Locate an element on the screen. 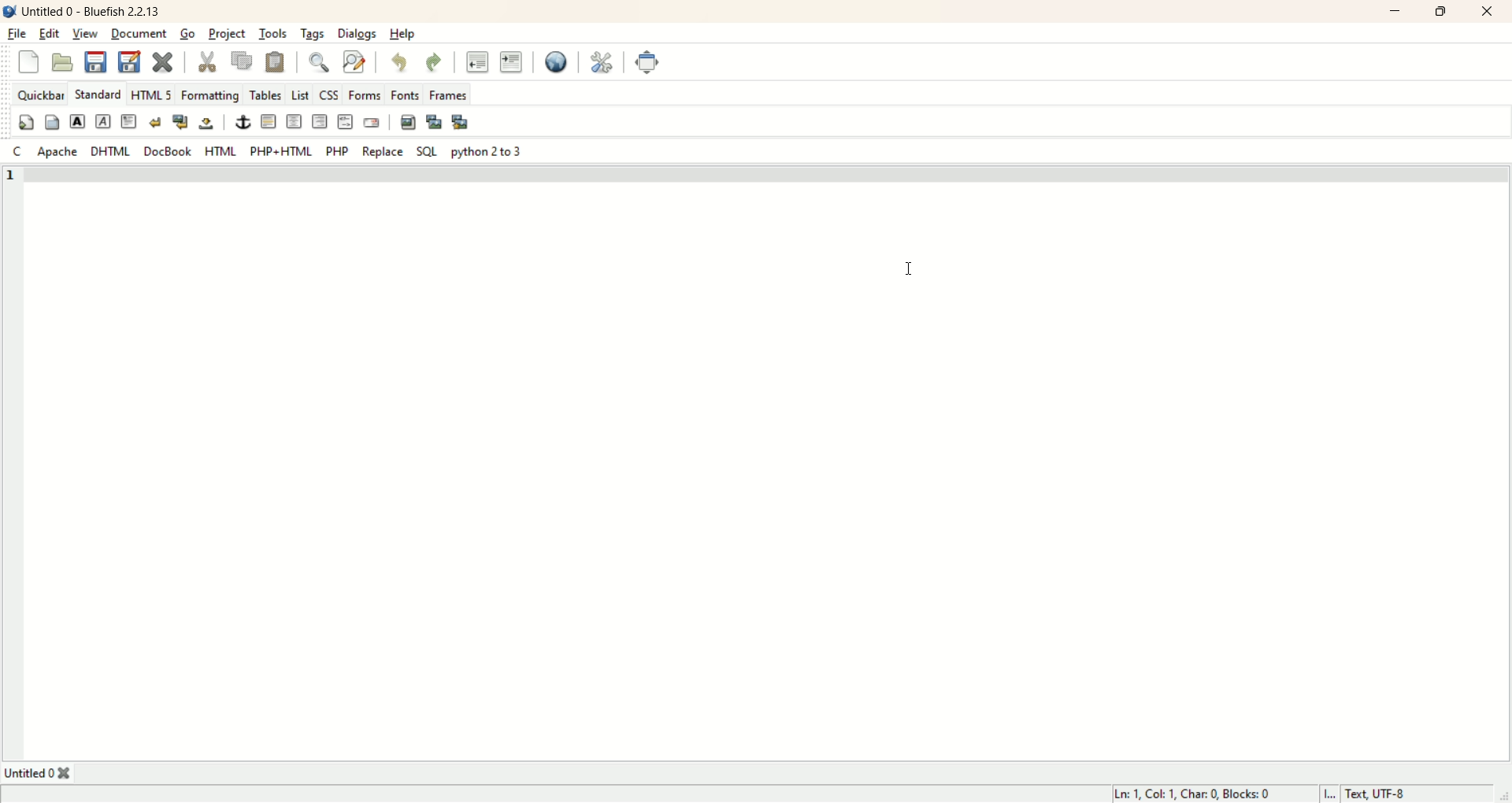  Docbook is located at coordinates (171, 153).